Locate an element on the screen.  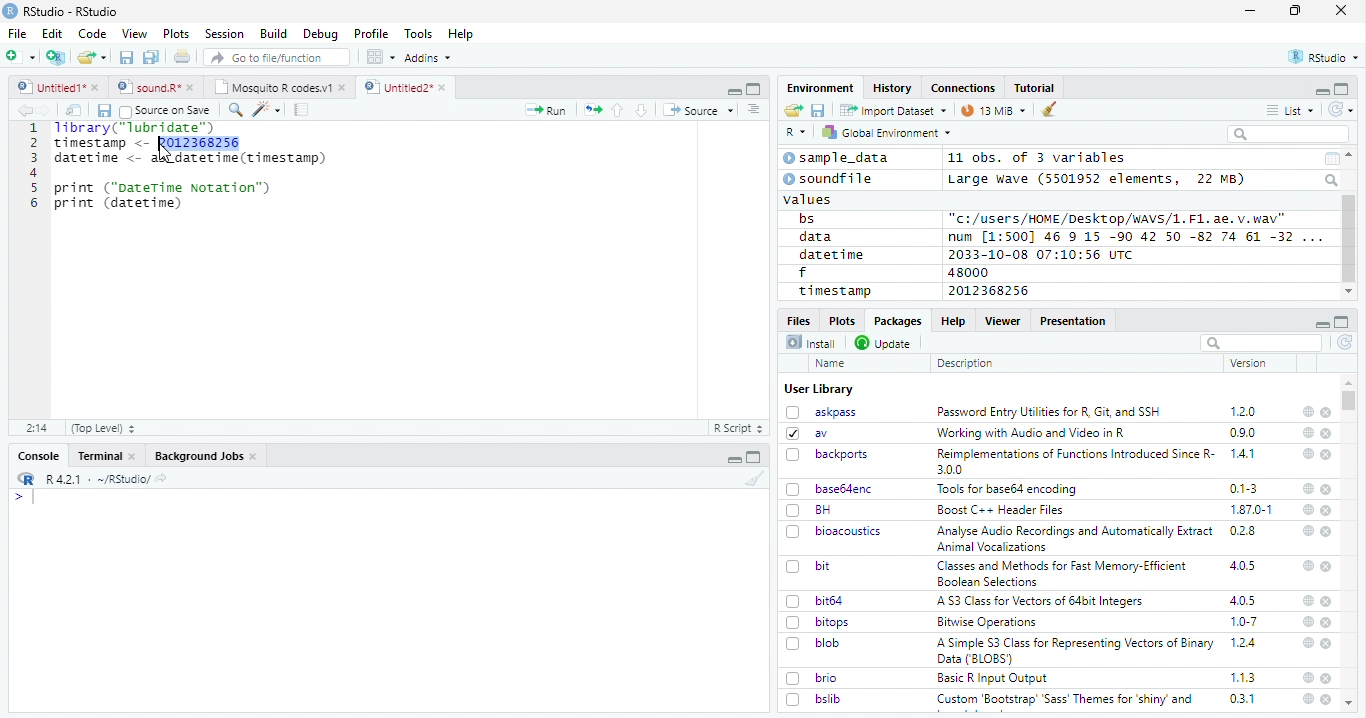
close is located at coordinates (1327, 623).